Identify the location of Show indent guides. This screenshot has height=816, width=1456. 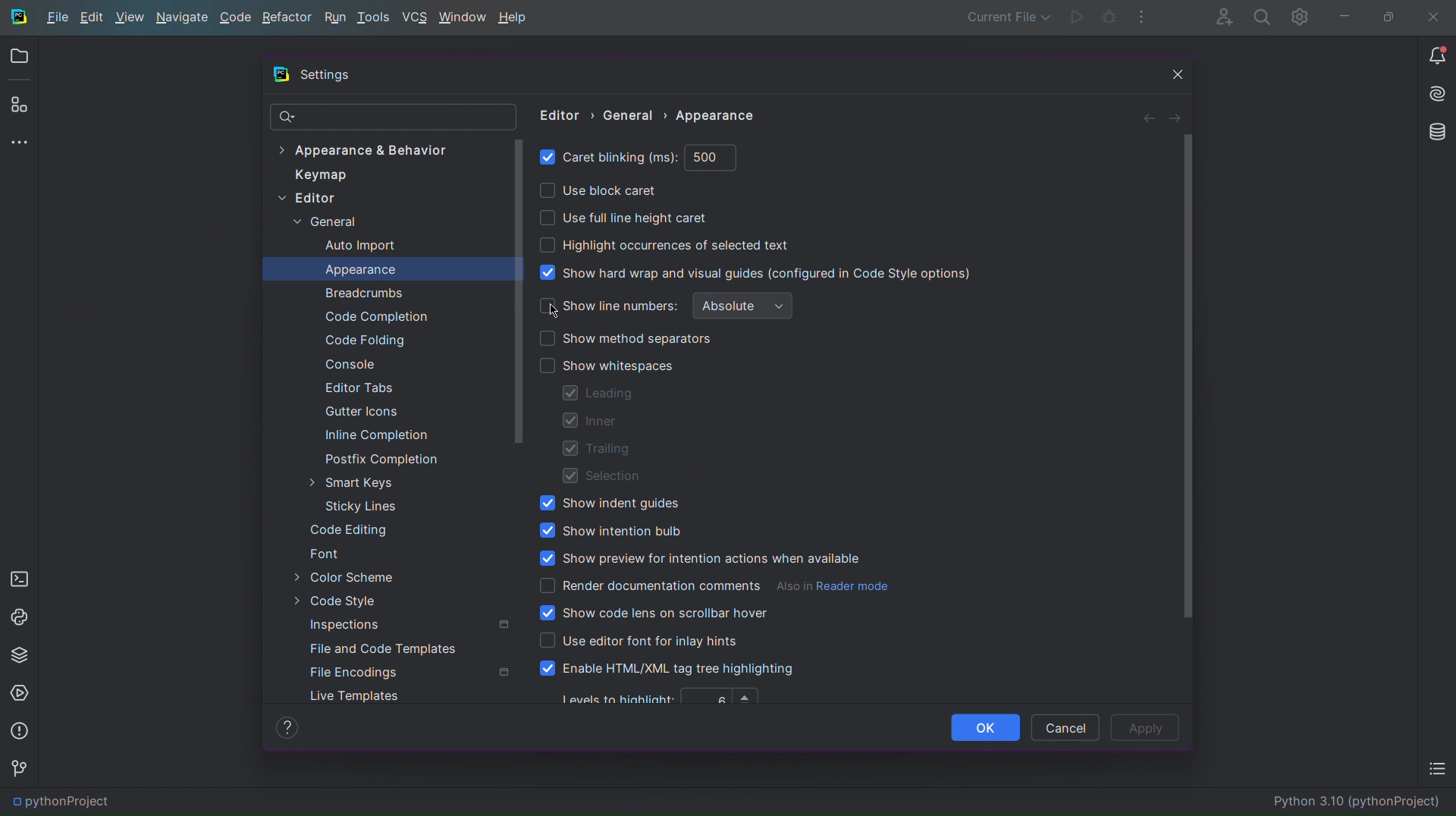
(604, 505).